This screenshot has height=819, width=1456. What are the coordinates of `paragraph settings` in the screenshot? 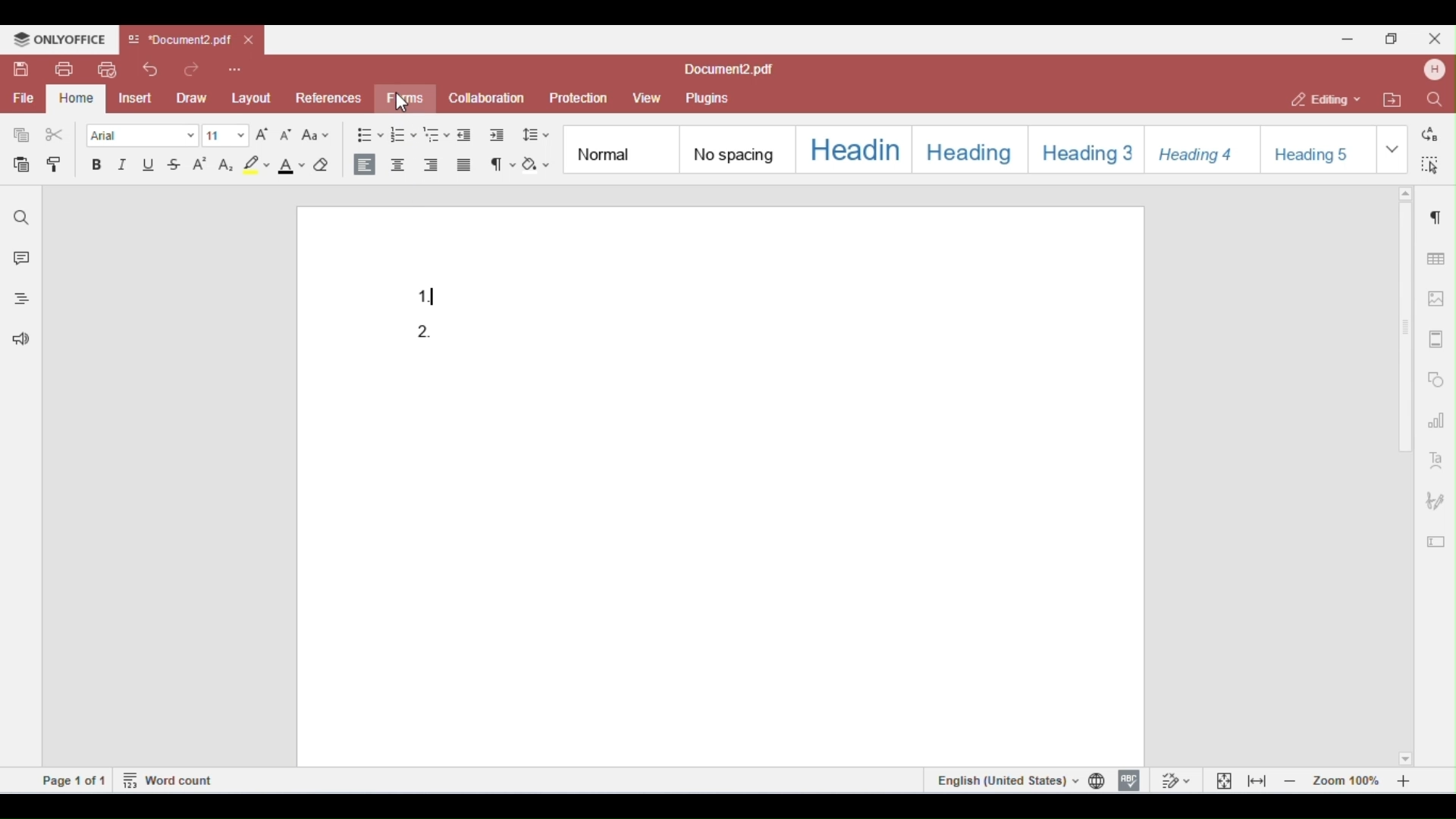 It's located at (1432, 214).